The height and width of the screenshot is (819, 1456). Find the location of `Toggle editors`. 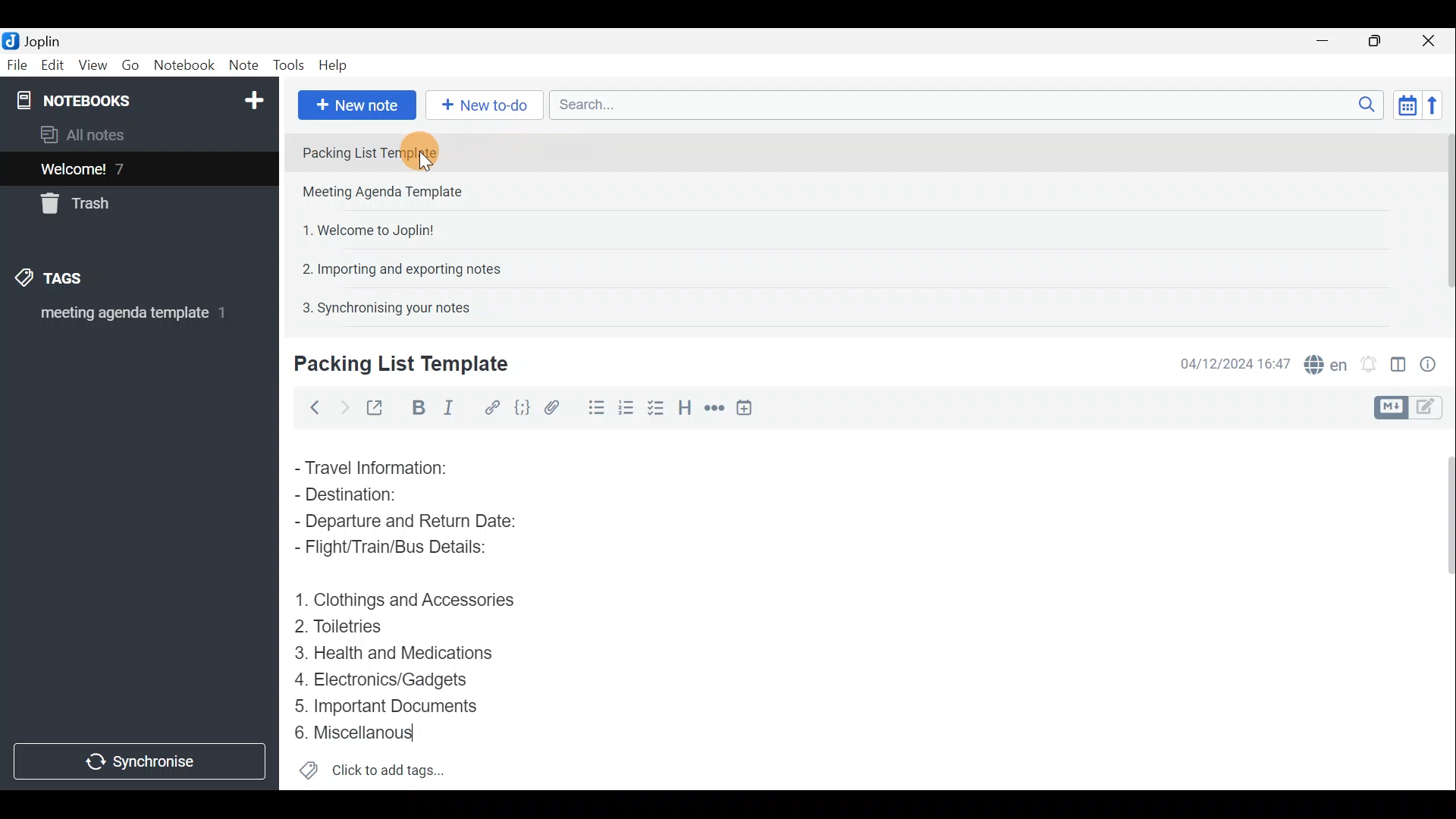

Toggle editors is located at coordinates (1393, 406).